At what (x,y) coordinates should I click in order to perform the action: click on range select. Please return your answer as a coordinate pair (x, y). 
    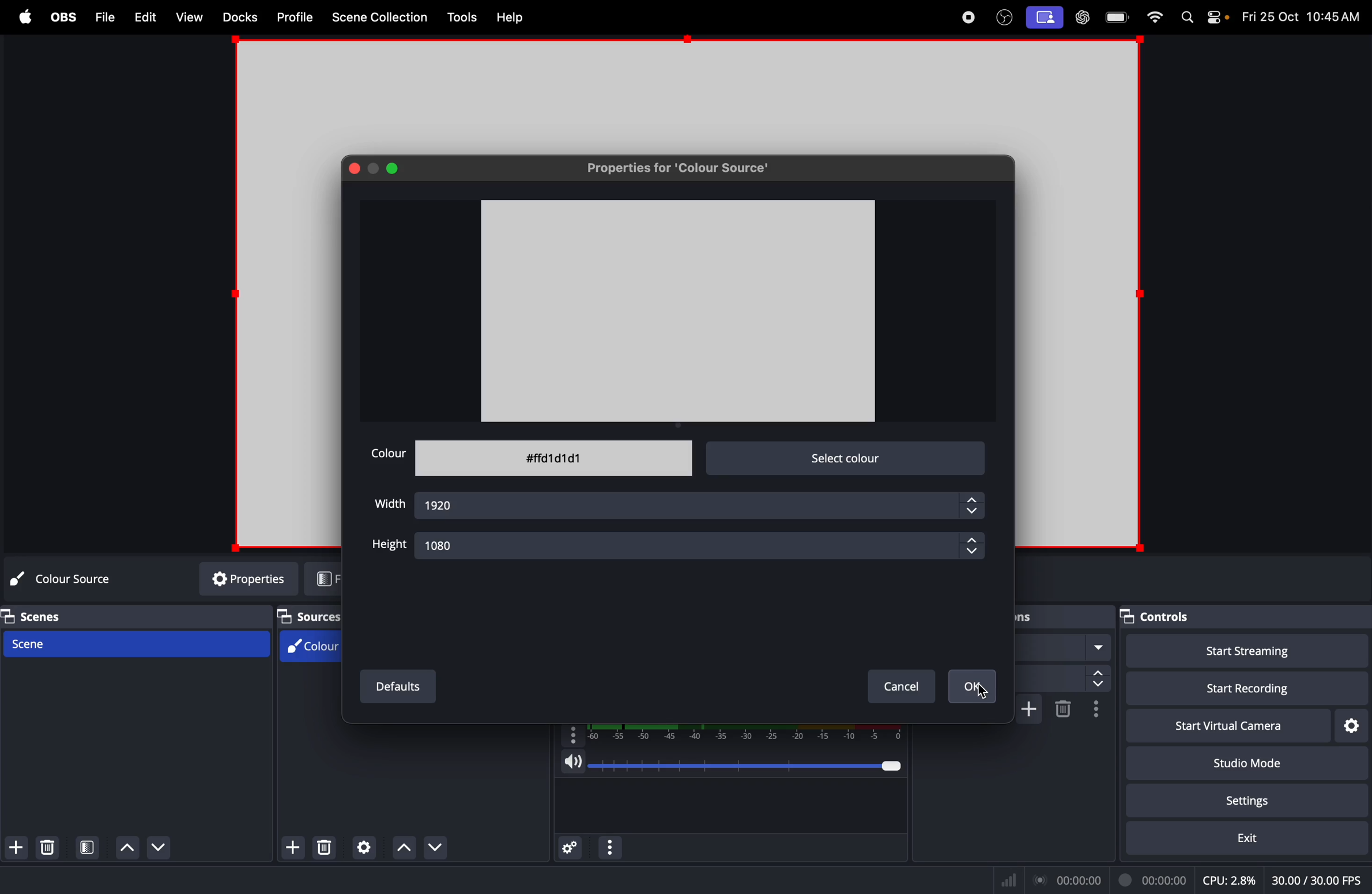
    Looking at the image, I should click on (737, 730).